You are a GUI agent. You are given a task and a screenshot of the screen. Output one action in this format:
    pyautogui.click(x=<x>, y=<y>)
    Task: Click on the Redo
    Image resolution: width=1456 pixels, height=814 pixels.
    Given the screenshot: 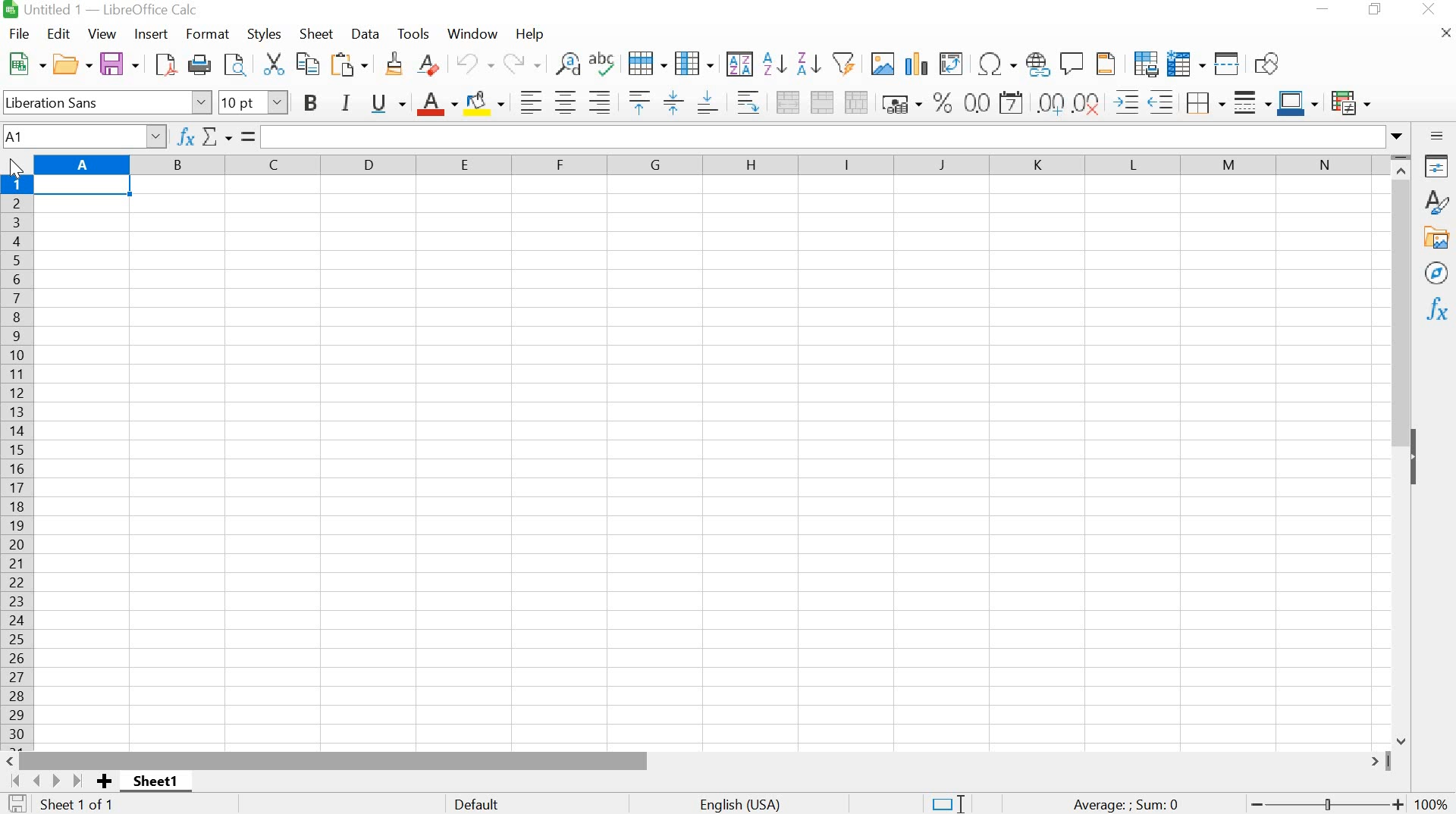 What is the action you would take?
    pyautogui.click(x=522, y=65)
    